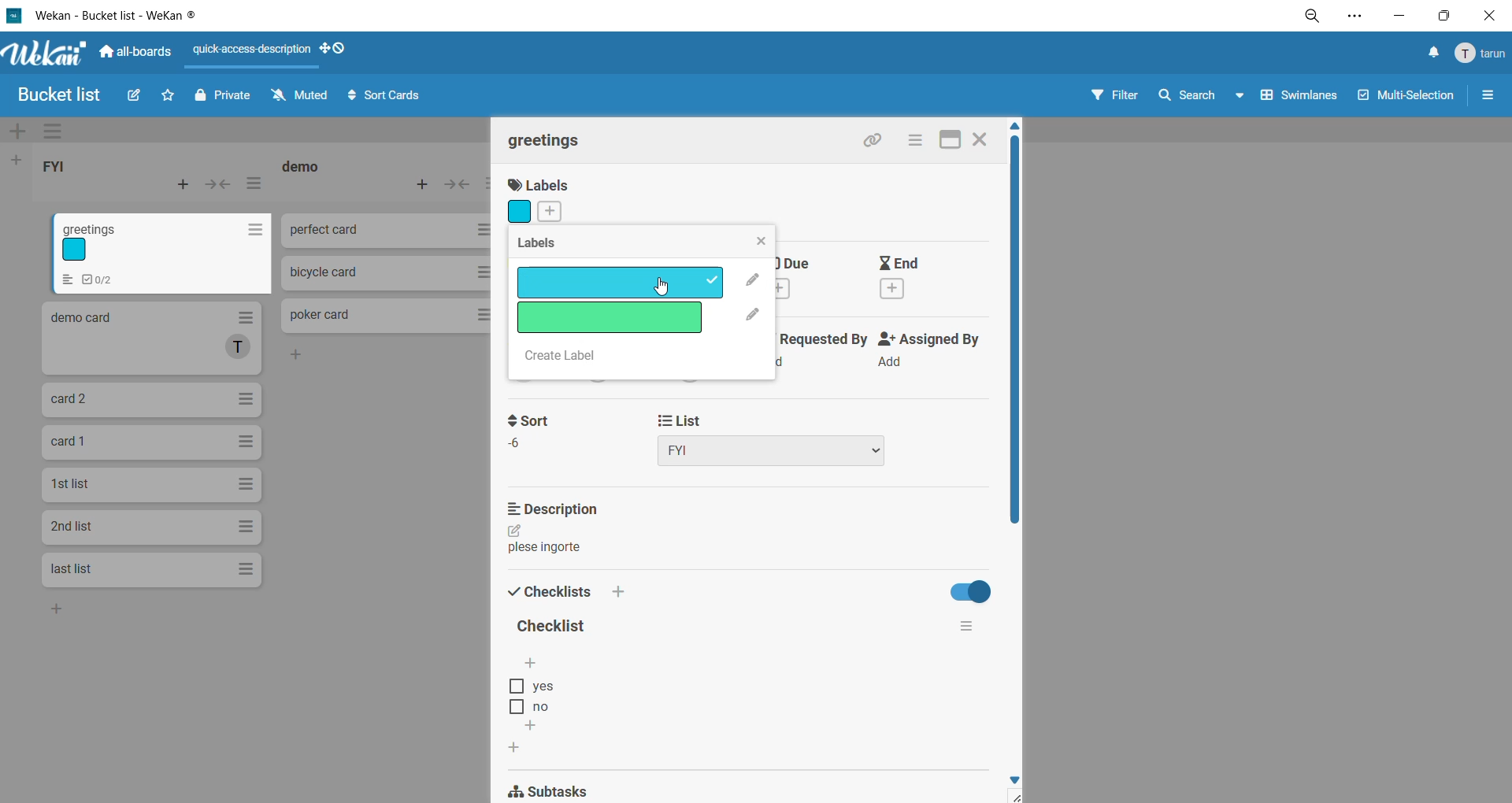 This screenshot has width=1512, height=803. Describe the element at coordinates (1434, 52) in the screenshot. I see `notifications` at that location.